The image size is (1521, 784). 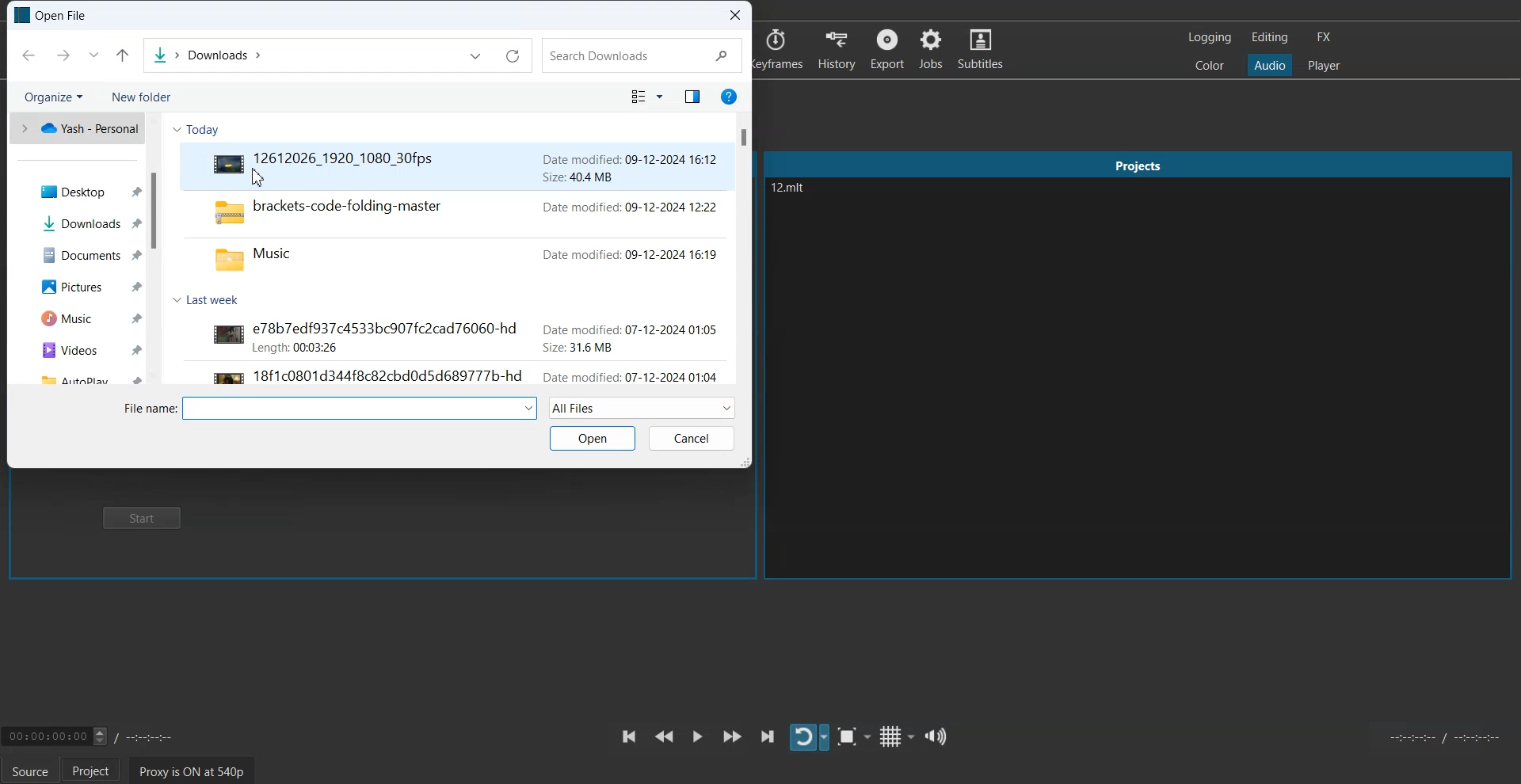 What do you see at coordinates (896, 737) in the screenshot?
I see `Toggle grid display on the player` at bounding box center [896, 737].